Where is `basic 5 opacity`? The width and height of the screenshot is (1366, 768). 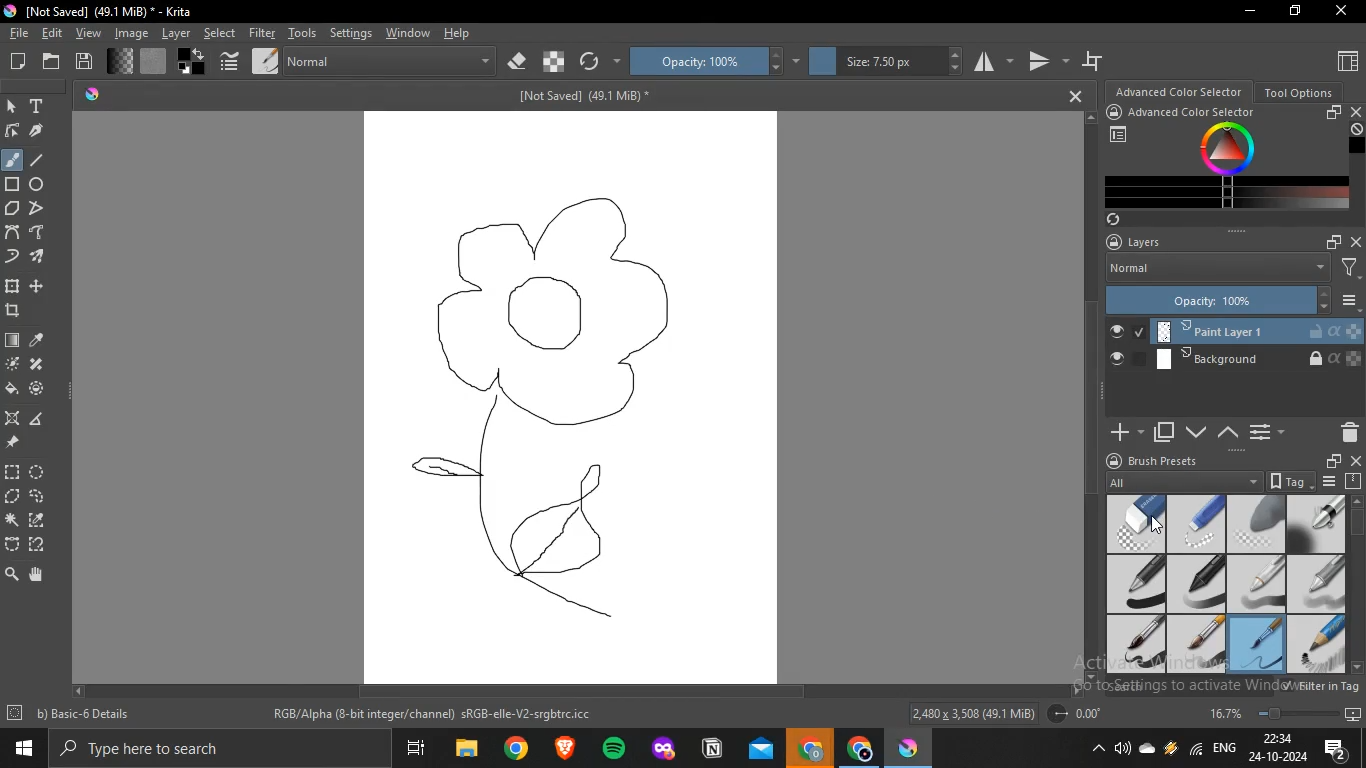
basic 5 opacity is located at coordinates (1194, 646).